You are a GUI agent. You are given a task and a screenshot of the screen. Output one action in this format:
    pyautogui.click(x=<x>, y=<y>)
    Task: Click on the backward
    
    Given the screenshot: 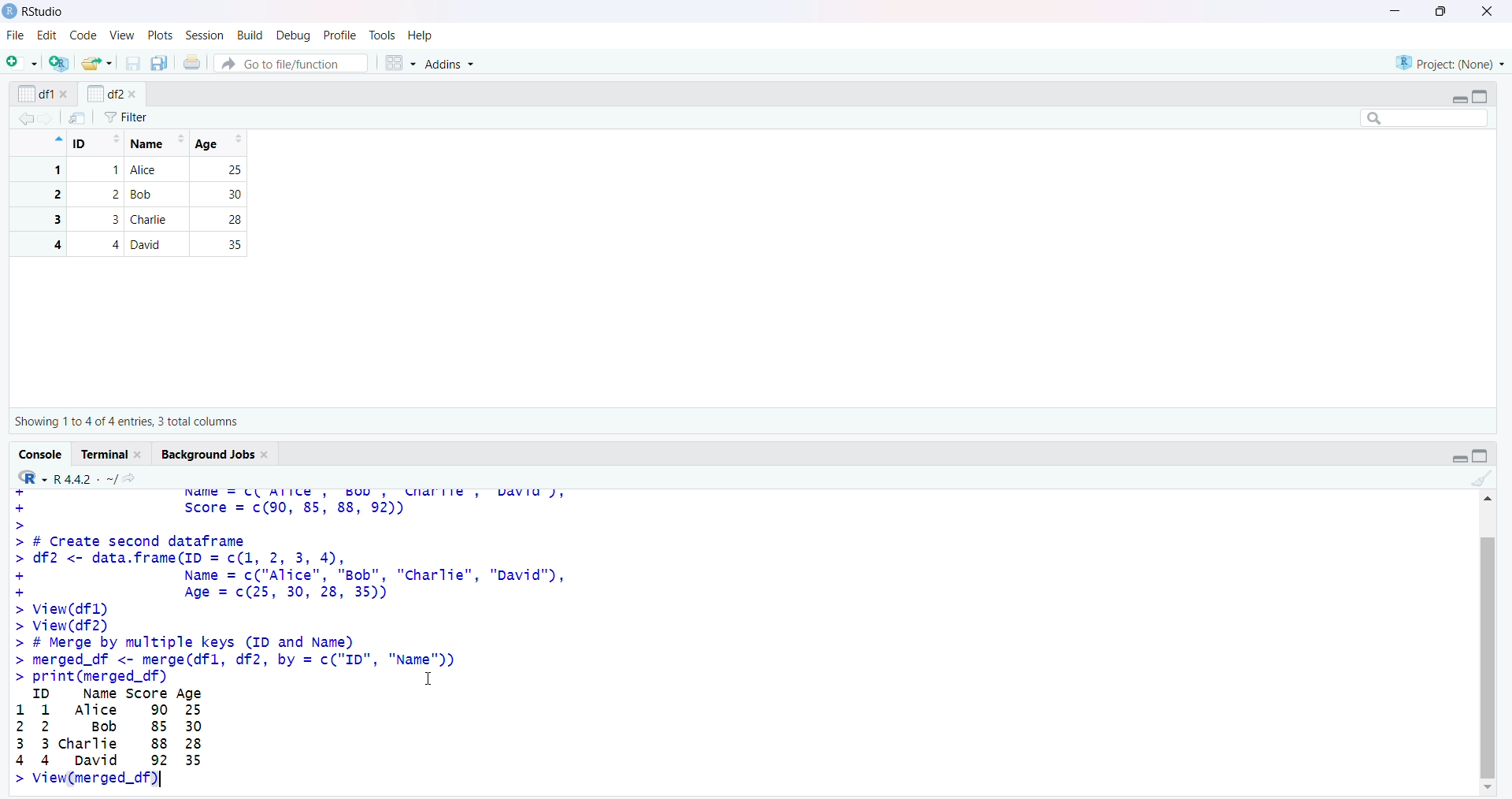 What is the action you would take?
    pyautogui.click(x=25, y=118)
    